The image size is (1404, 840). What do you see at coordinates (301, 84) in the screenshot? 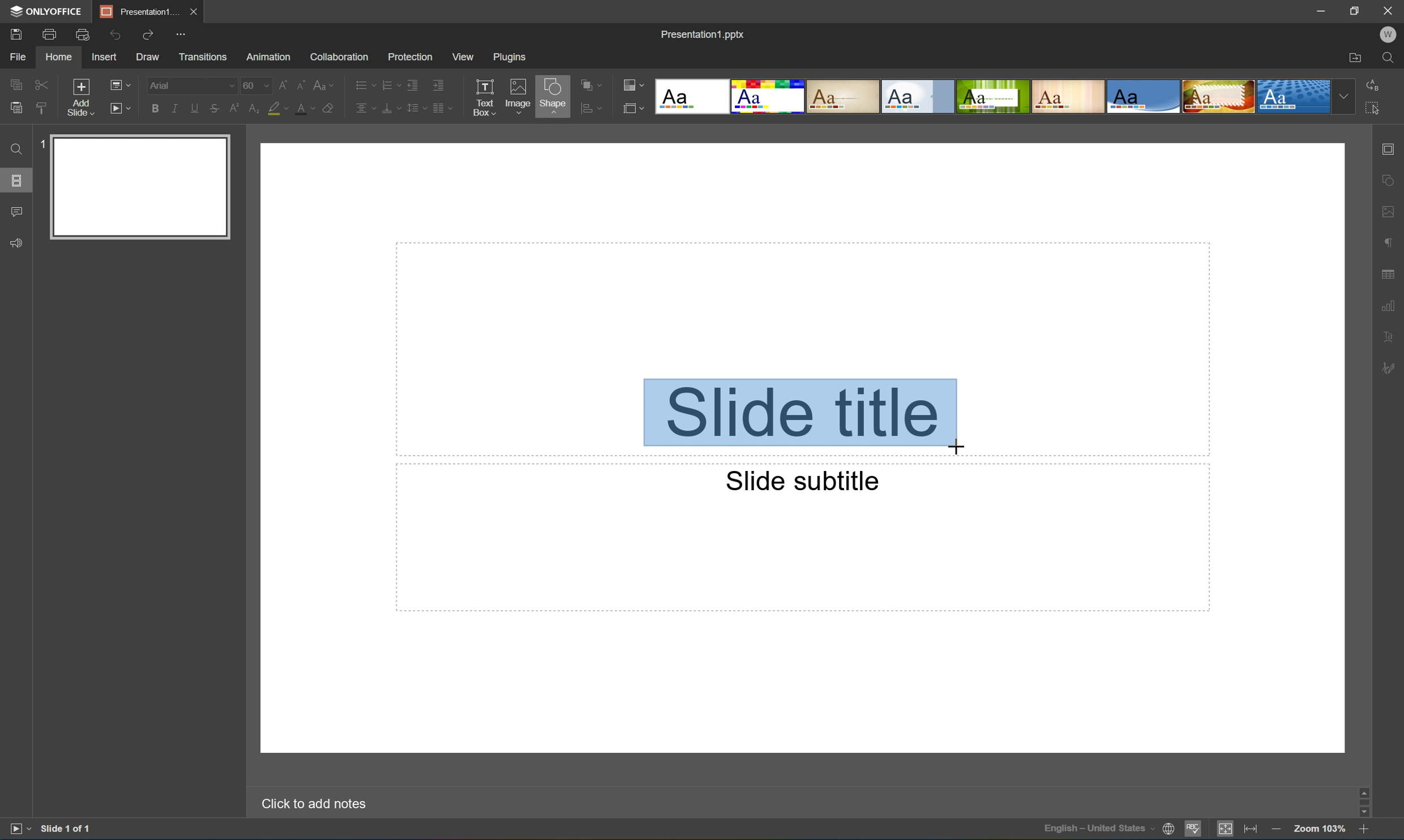
I see `Decrement font size` at bounding box center [301, 84].